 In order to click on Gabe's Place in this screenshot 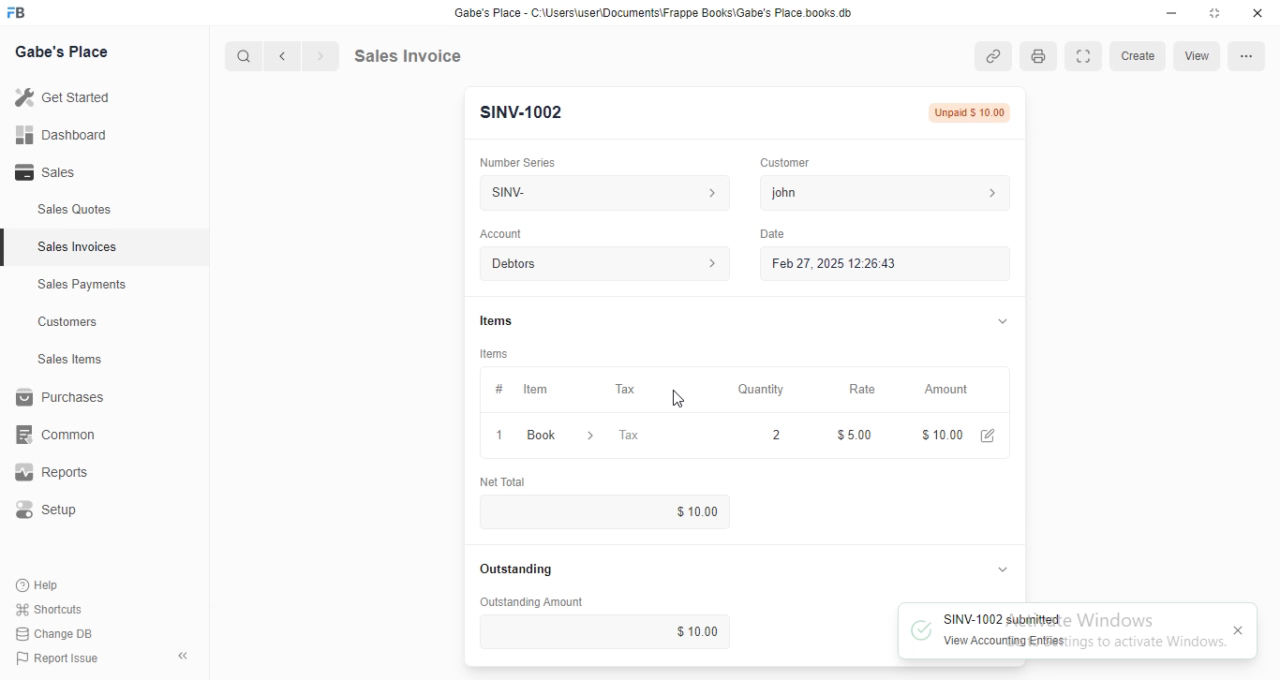, I will do `click(65, 52)`.